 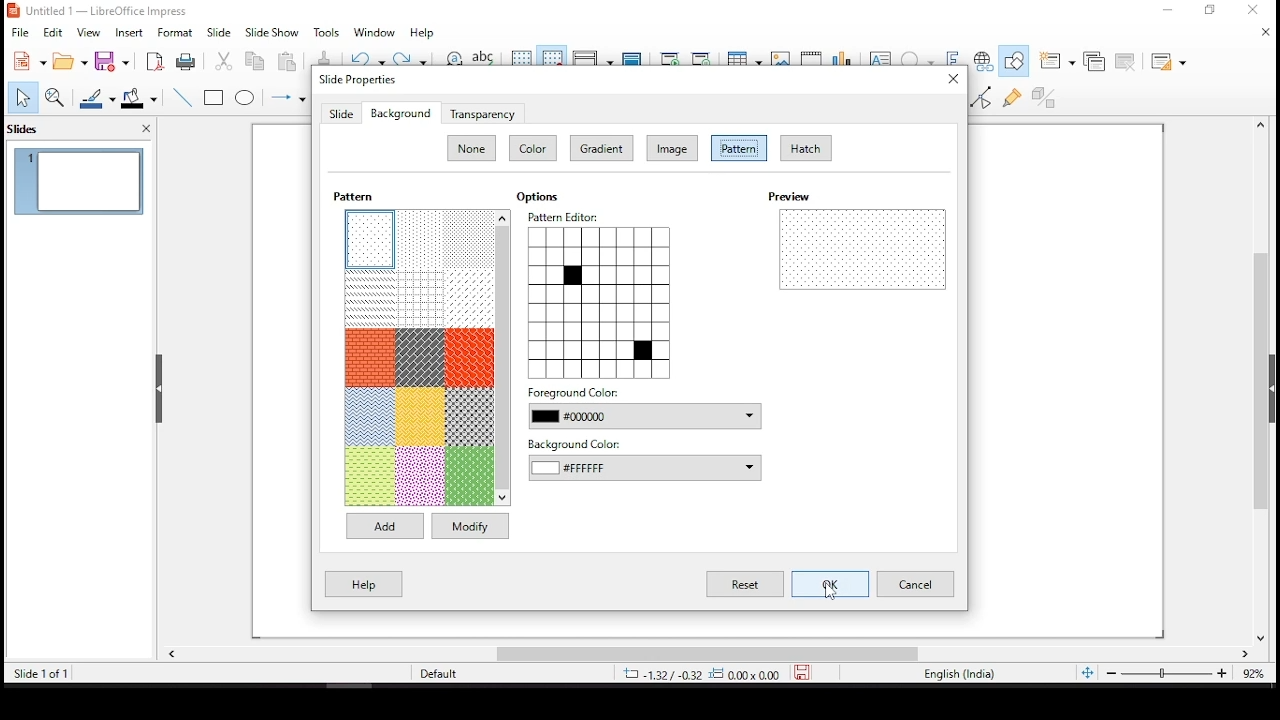 What do you see at coordinates (1094, 61) in the screenshot?
I see `duplicate slide` at bounding box center [1094, 61].